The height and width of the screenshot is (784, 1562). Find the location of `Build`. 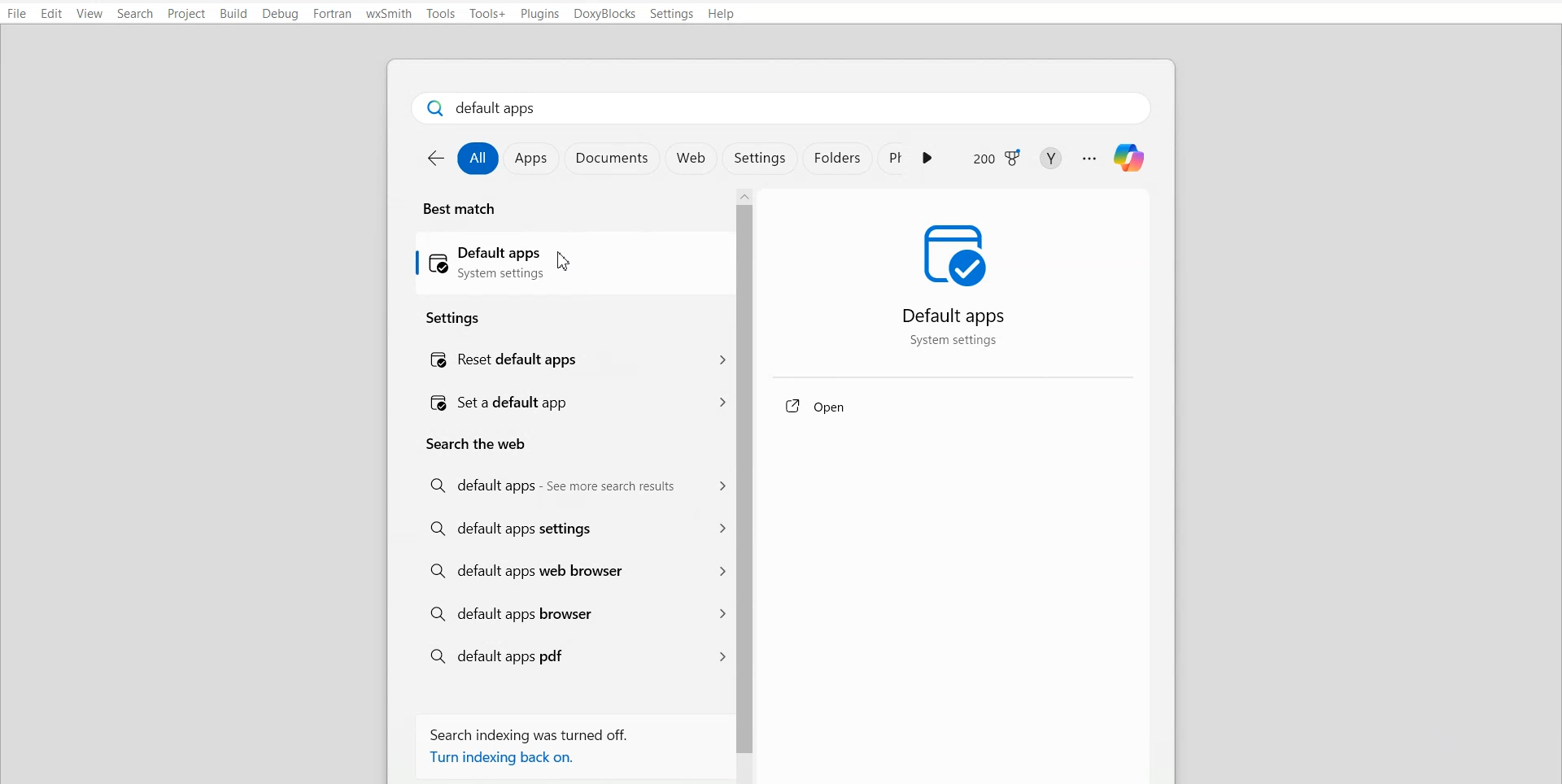

Build is located at coordinates (233, 14).